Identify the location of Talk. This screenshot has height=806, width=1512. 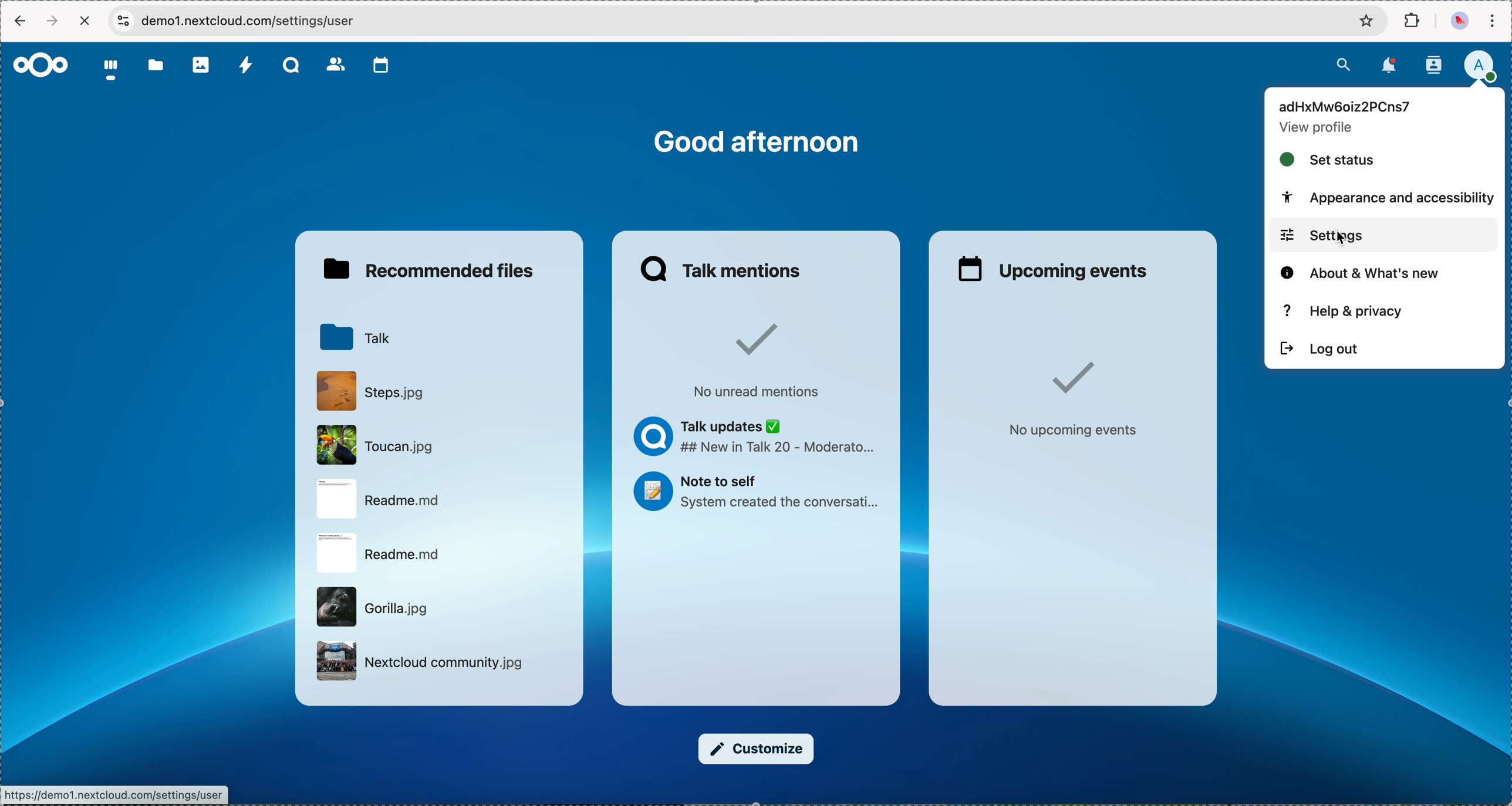
(293, 66).